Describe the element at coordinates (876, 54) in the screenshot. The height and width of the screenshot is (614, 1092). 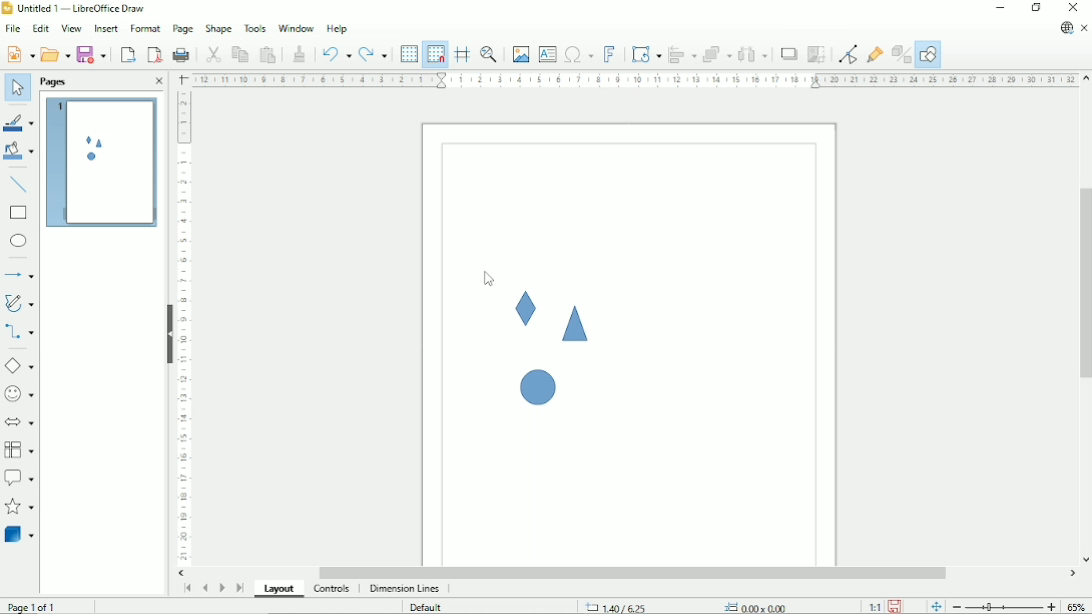
I see `Show gluepoint functions` at that location.